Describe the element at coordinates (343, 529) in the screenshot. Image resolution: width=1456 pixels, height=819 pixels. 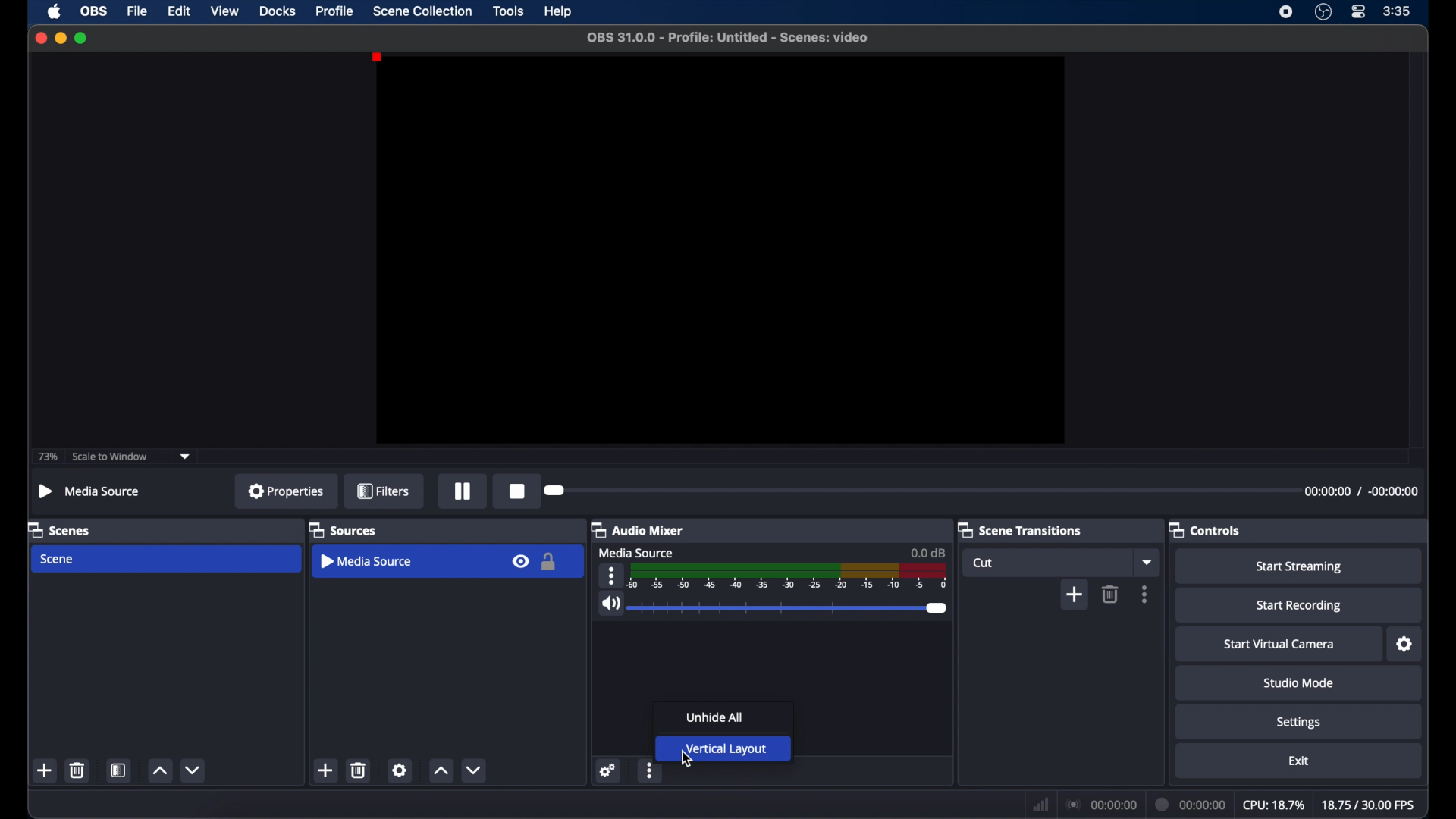
I see `sources` at that location.